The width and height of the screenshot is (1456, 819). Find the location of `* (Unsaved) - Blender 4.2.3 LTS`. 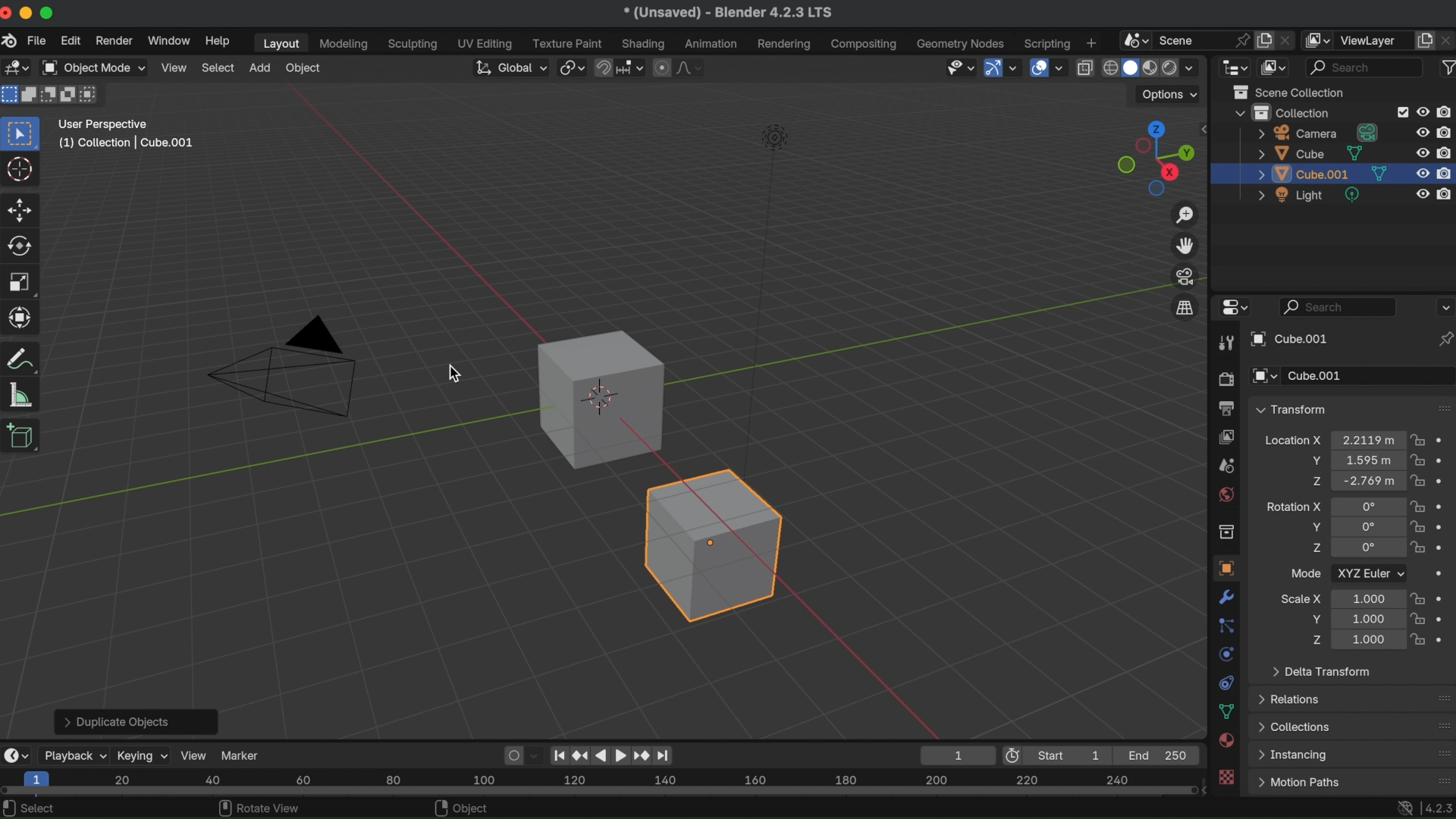

* (Unsaved) - Blender 4.2.3 LTS is located at coordinates (727, 14).